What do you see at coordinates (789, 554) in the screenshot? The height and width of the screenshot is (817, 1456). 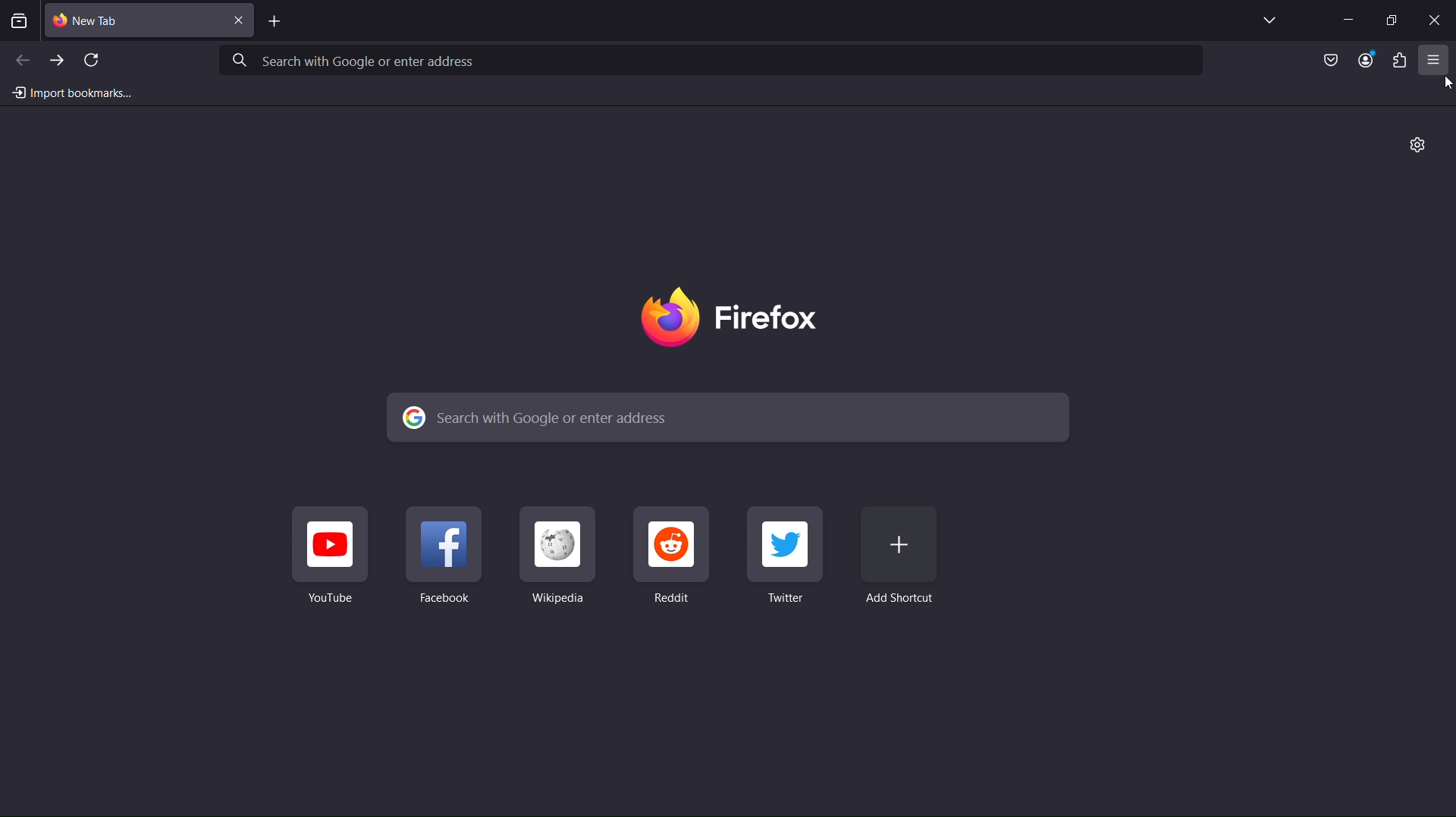 I see `Twitter Shortcut` at bounding box center [789, 554].